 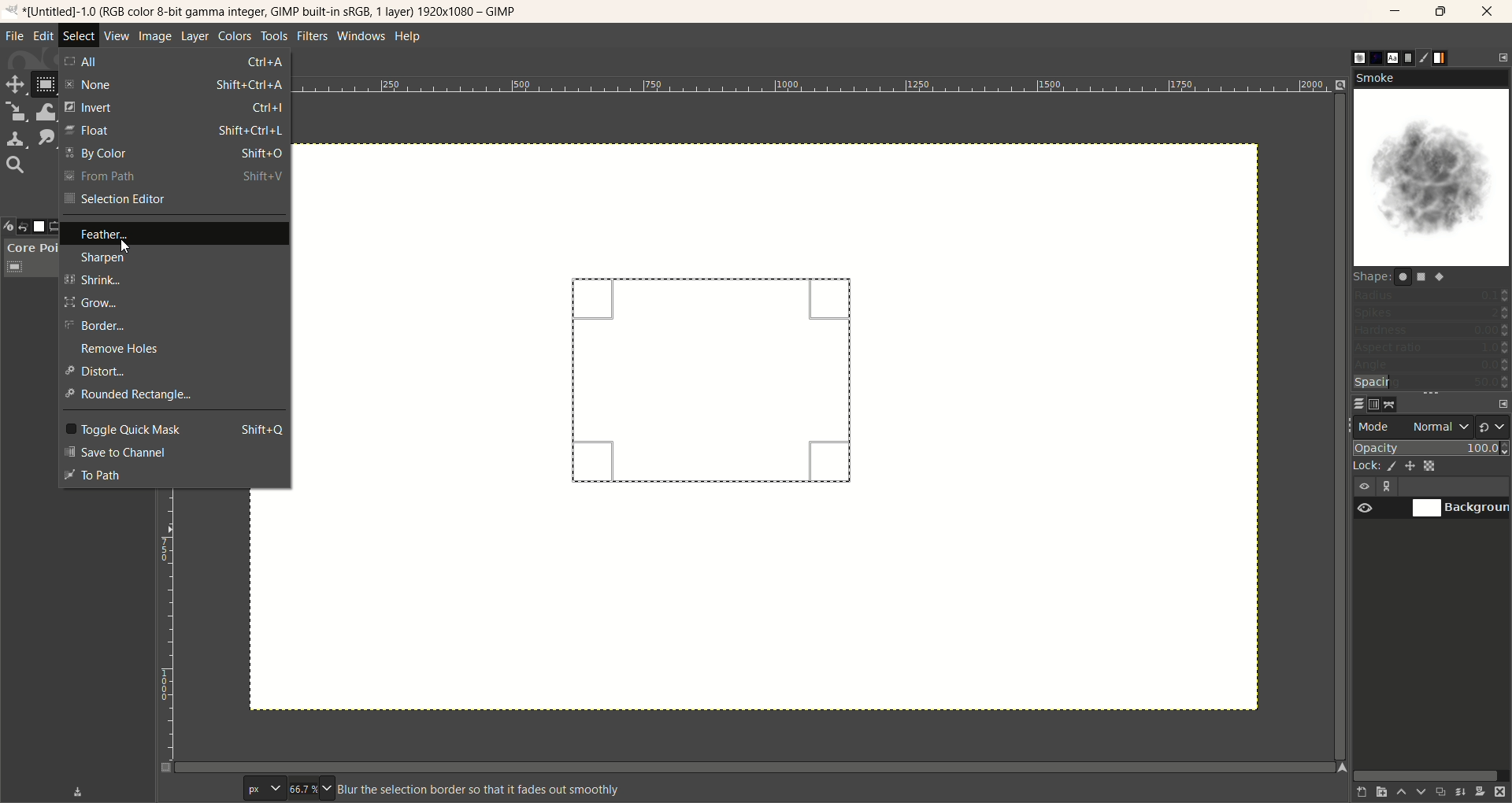 What do you see at coordinates (17, 113) in the screenshot?
I see `scale tool` at bounding box center [17, 113].